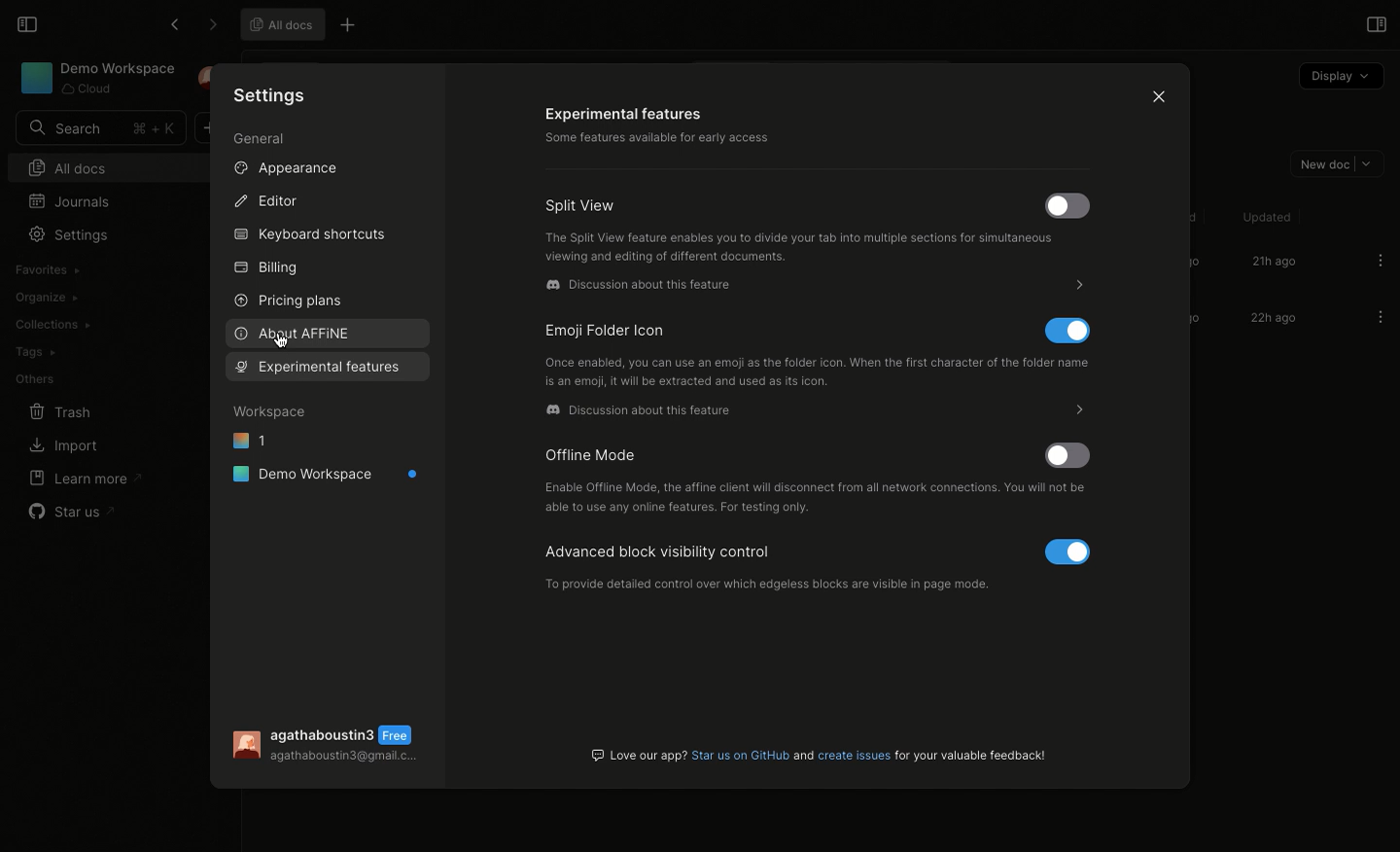  What do you see at coordinates (817, 500) in the screenshot?
I see `Members` at bounding box center [817, 500].